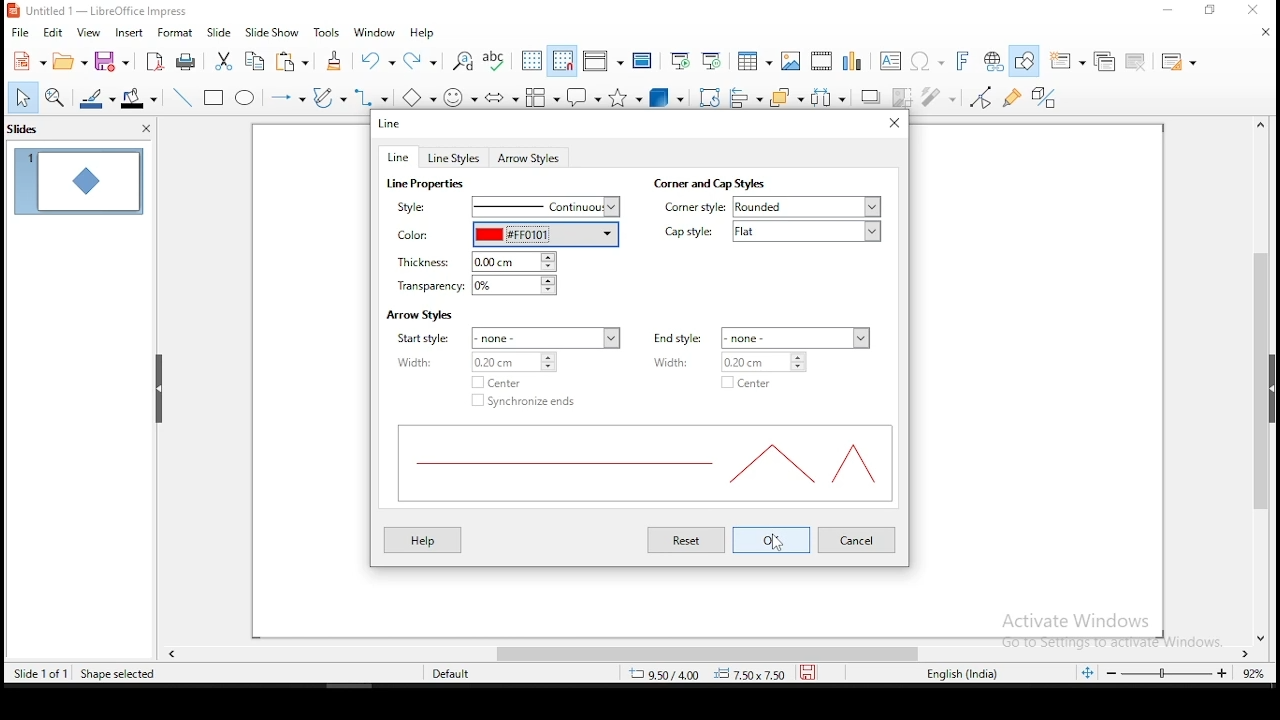 The width and height of the screenshot is (1280, 720). I want to click on paste, so click(295, 63).